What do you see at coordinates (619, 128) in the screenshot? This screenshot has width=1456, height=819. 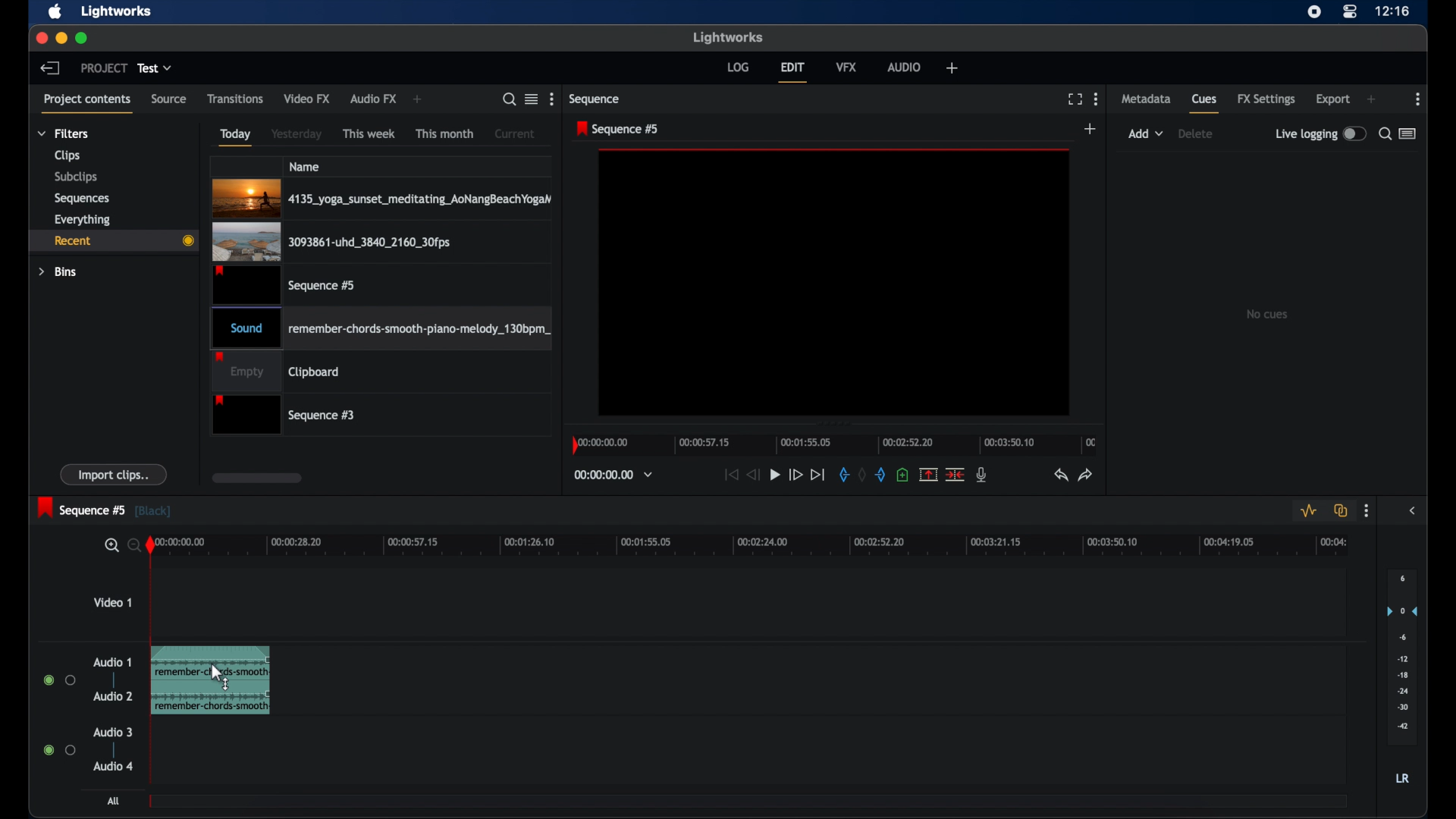 I see `sequence 5` at bounding box center [619, 128].